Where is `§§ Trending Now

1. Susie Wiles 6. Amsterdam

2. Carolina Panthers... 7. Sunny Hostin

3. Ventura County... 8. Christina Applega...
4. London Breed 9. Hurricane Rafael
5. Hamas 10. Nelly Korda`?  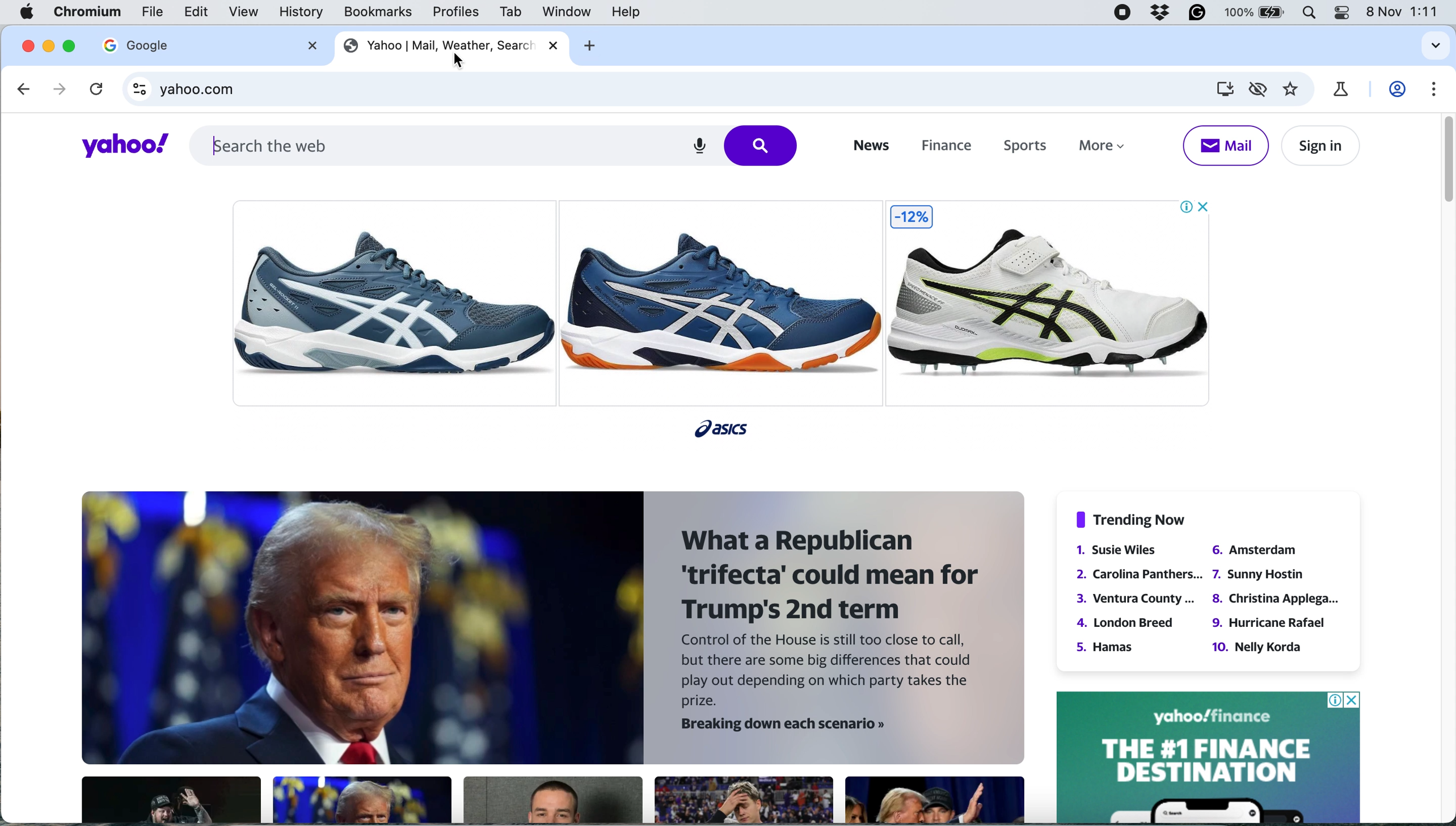
§§ Trending Now

1. Susie Wiles 6. Amsterdam

2. Carolina Panthers... 7. Sunny Hostin

3. Ventura County... 8. Christina Applega...
4. London Breed 9. Hurricane Rafael
5. Hamas 10. Nelly Korda is located at coordinates (1198, 585).